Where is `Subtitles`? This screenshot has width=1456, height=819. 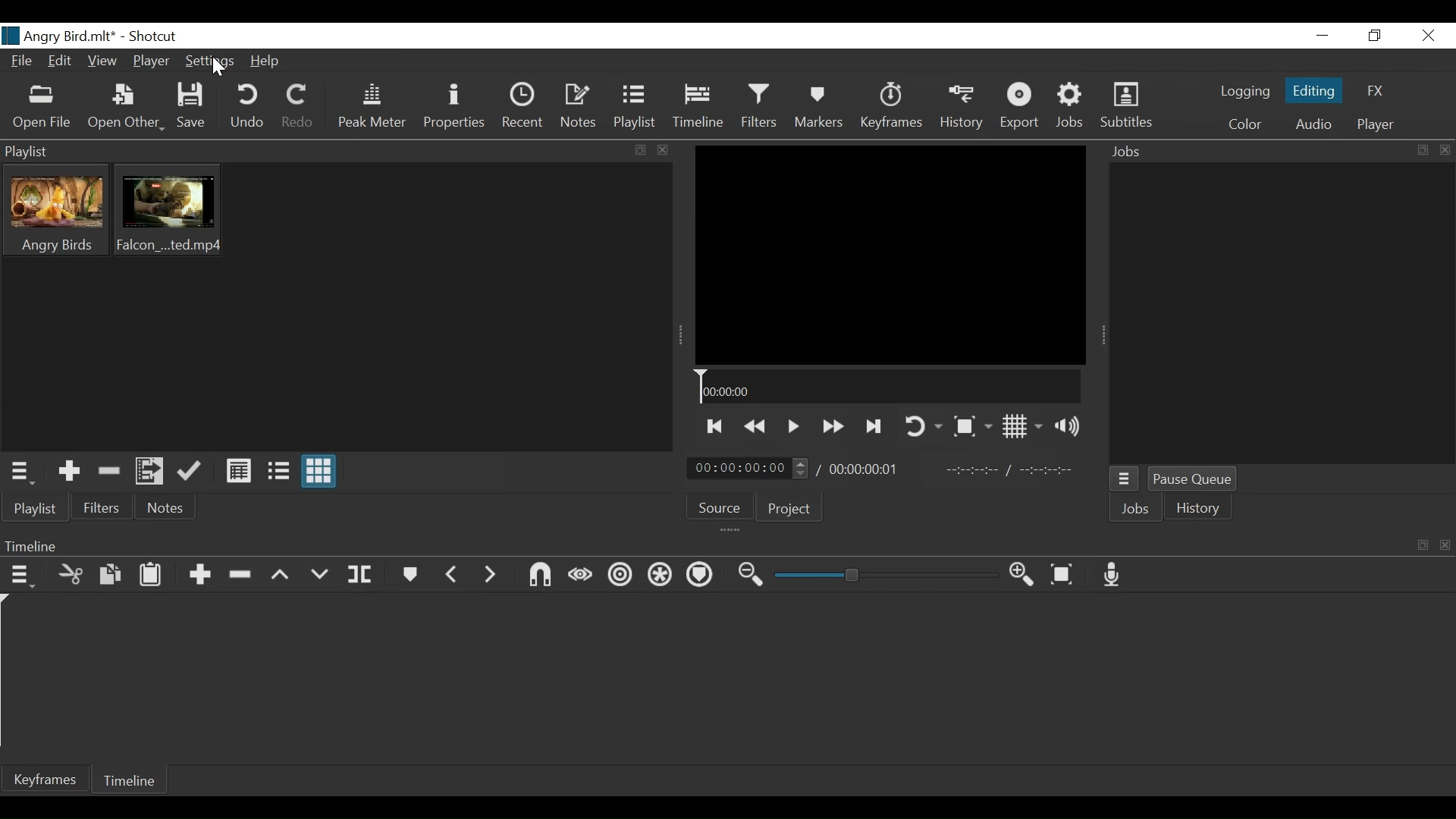
Subtitles is located at coordinates (1127, 106).